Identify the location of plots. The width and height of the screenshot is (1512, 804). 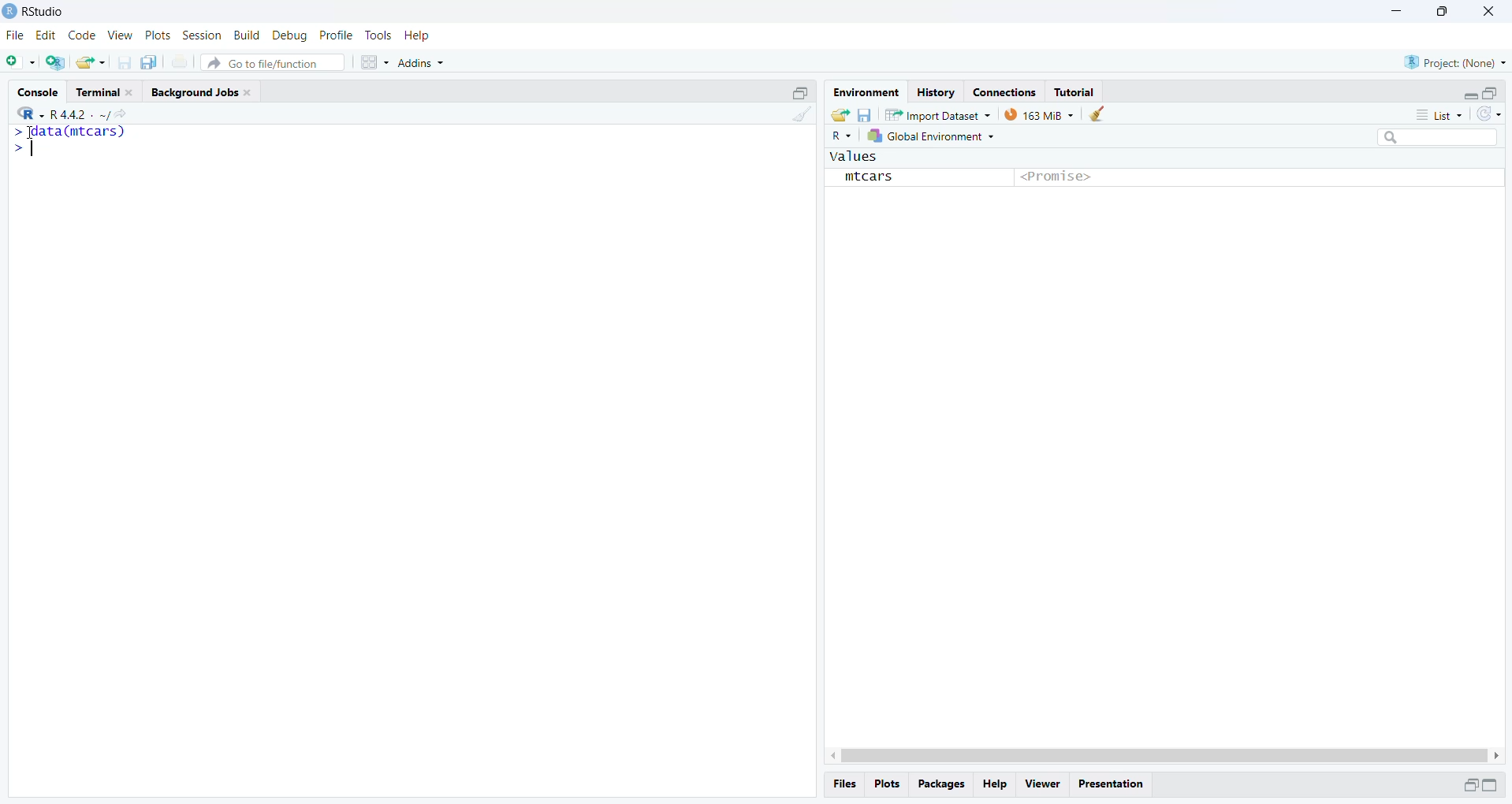
(889, 784).